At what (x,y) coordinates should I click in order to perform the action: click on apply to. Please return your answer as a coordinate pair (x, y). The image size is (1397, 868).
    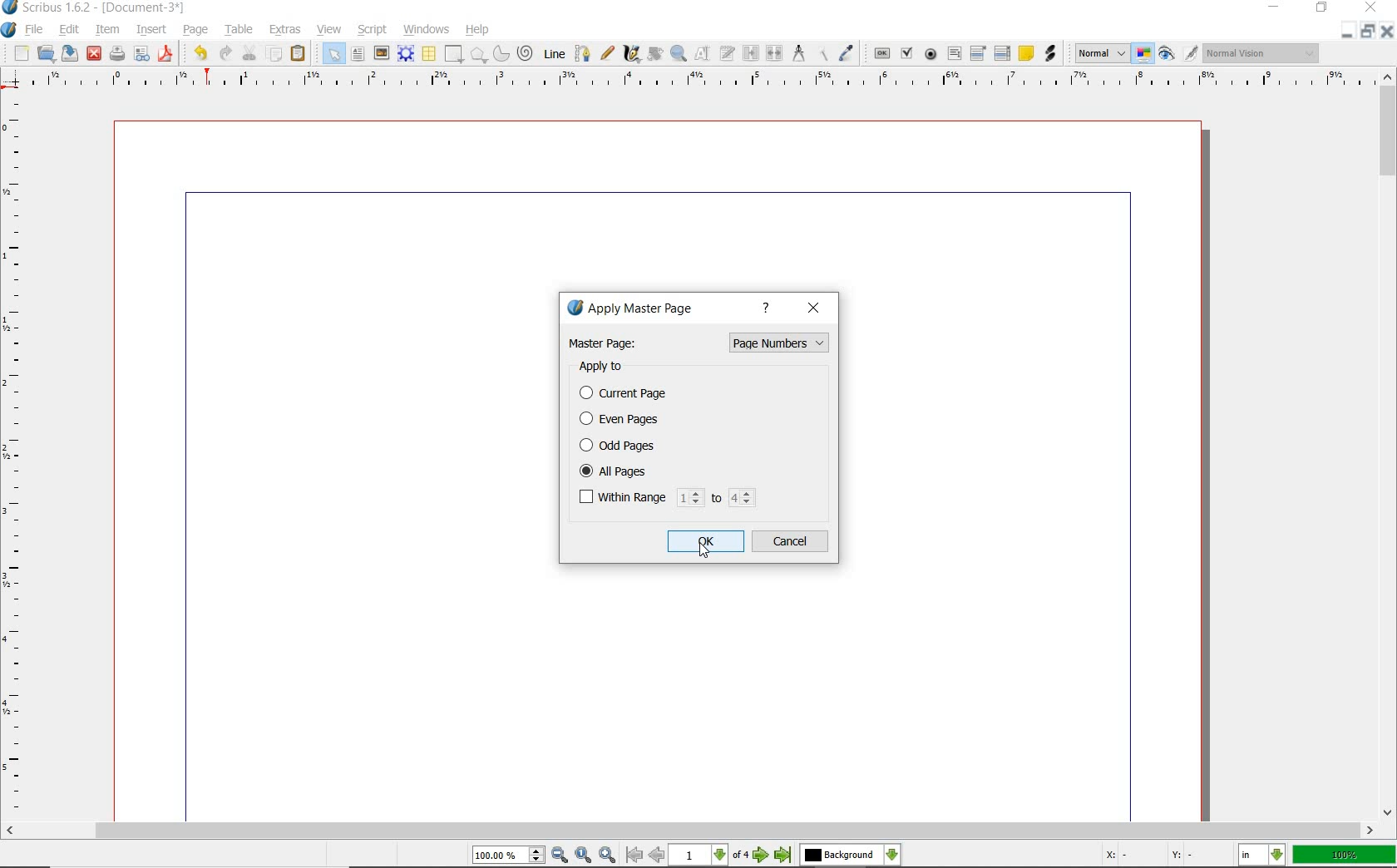
    Looking at the image, I should click on (608, 367).